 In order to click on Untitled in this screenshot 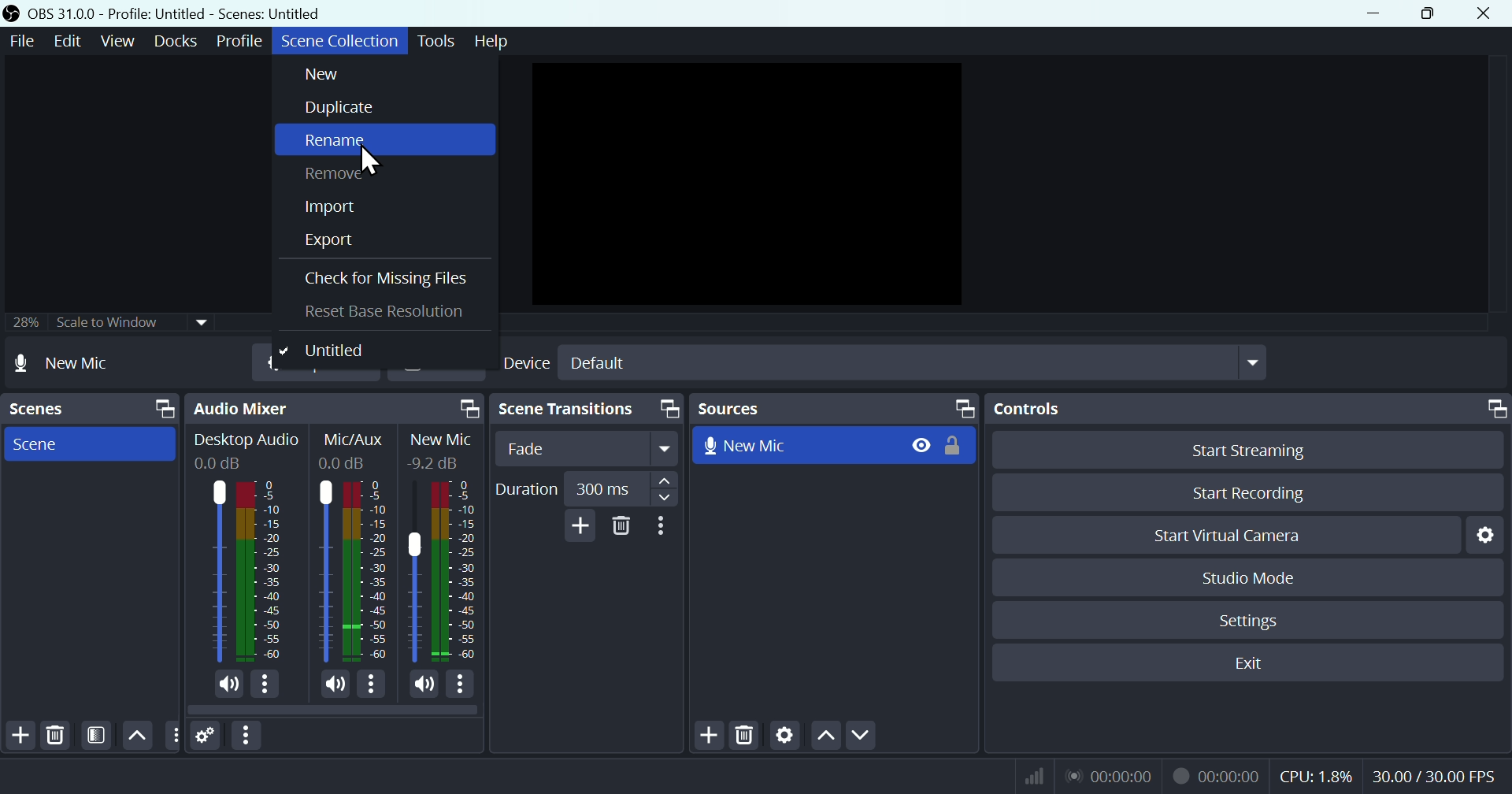, I will do `click(338, 350)`.